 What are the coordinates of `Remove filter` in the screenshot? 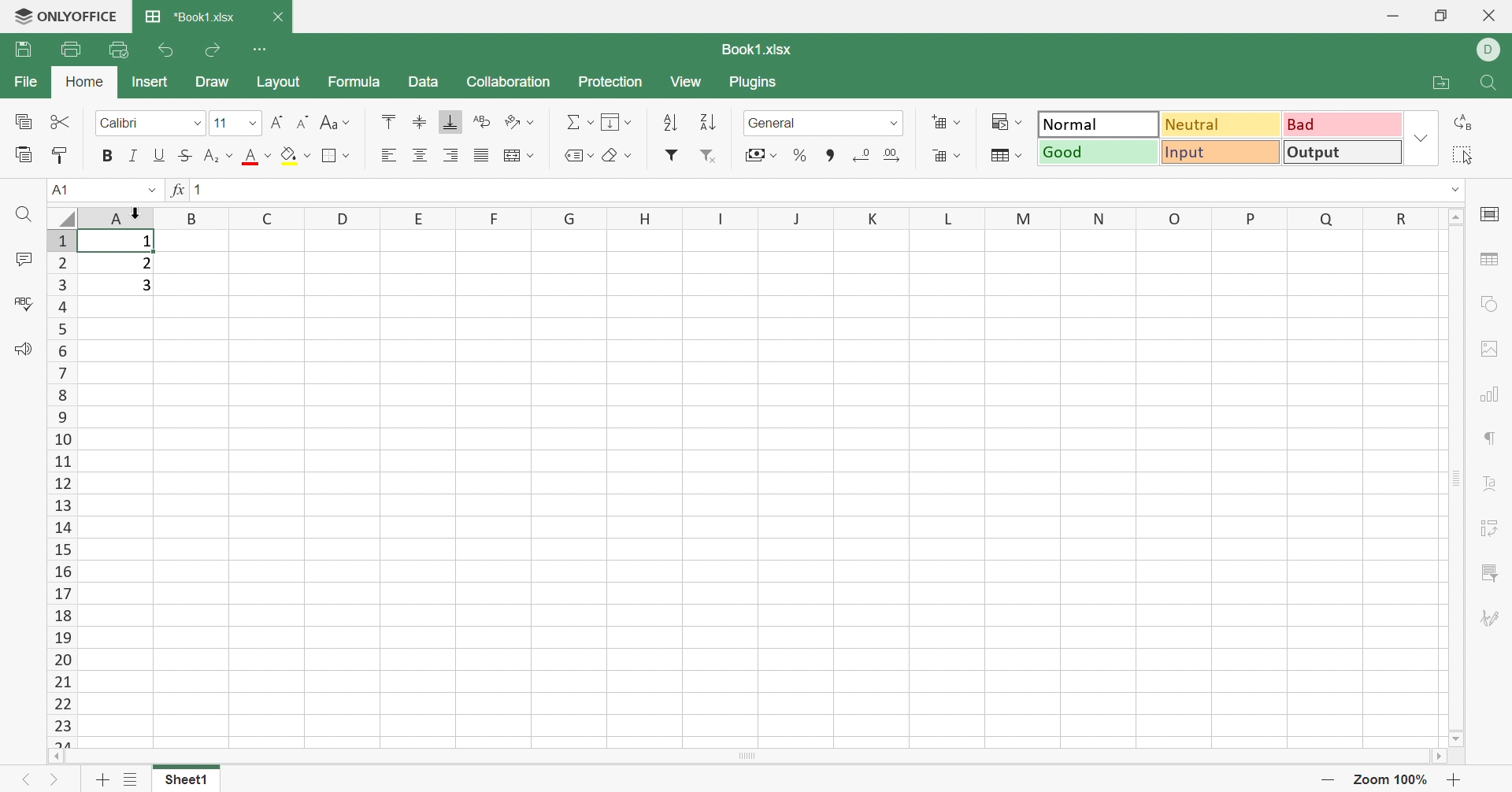 It's located at (710, 156).